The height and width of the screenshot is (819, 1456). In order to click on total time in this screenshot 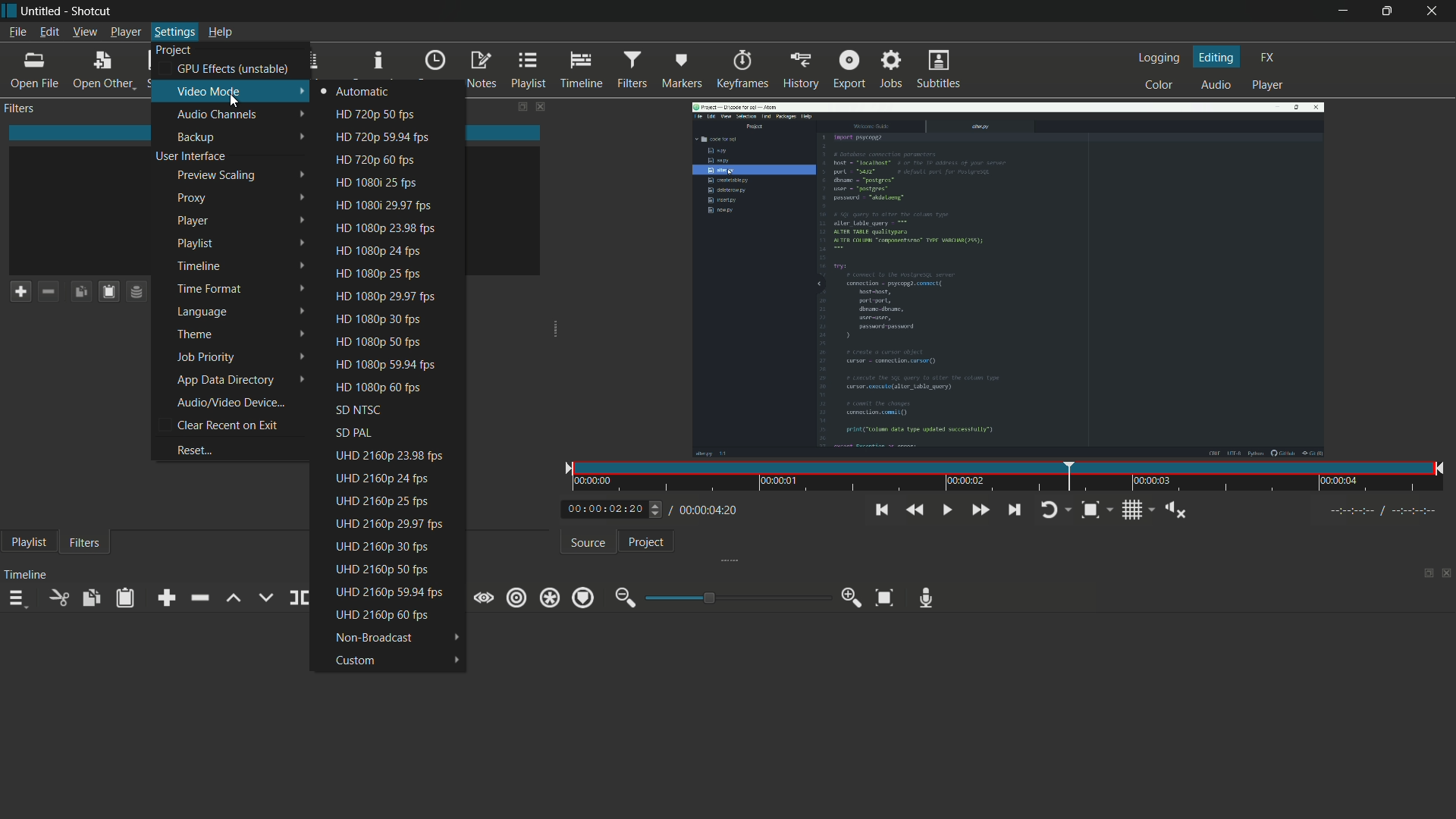, I will do `click(707, 510)`.